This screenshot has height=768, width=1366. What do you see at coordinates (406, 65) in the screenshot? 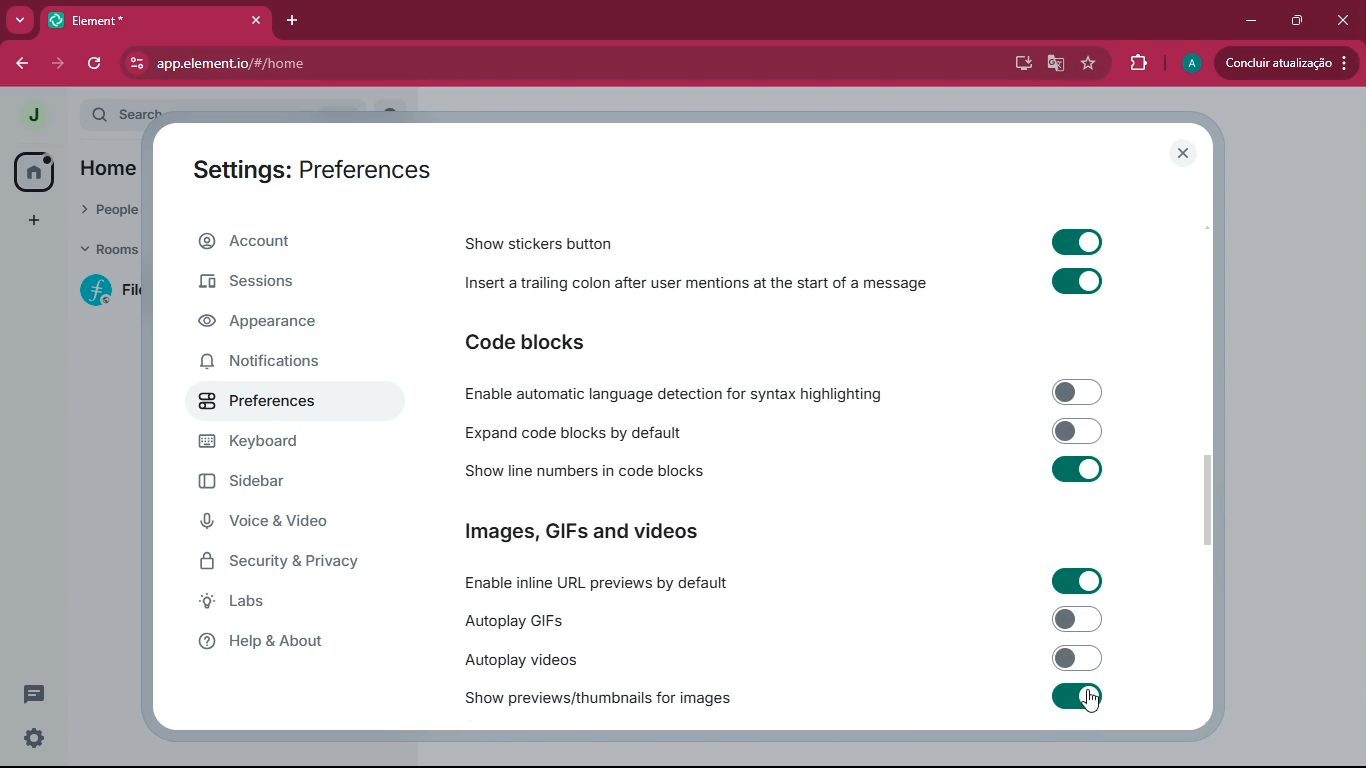
I see `app.element.io/#/home` at bounding box center [406, 65].